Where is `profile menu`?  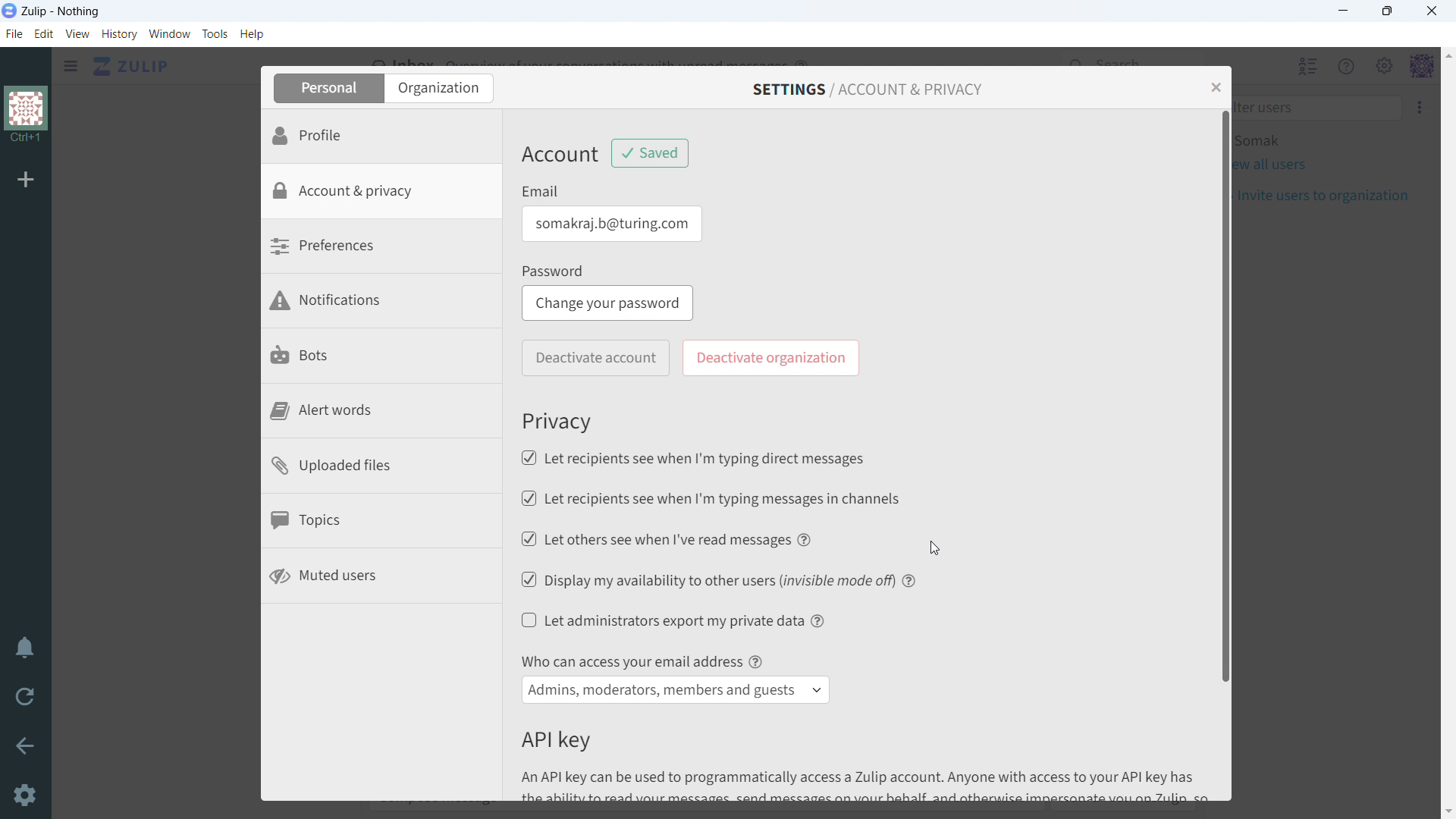 profile menu is located at coordinates (1421, 67).